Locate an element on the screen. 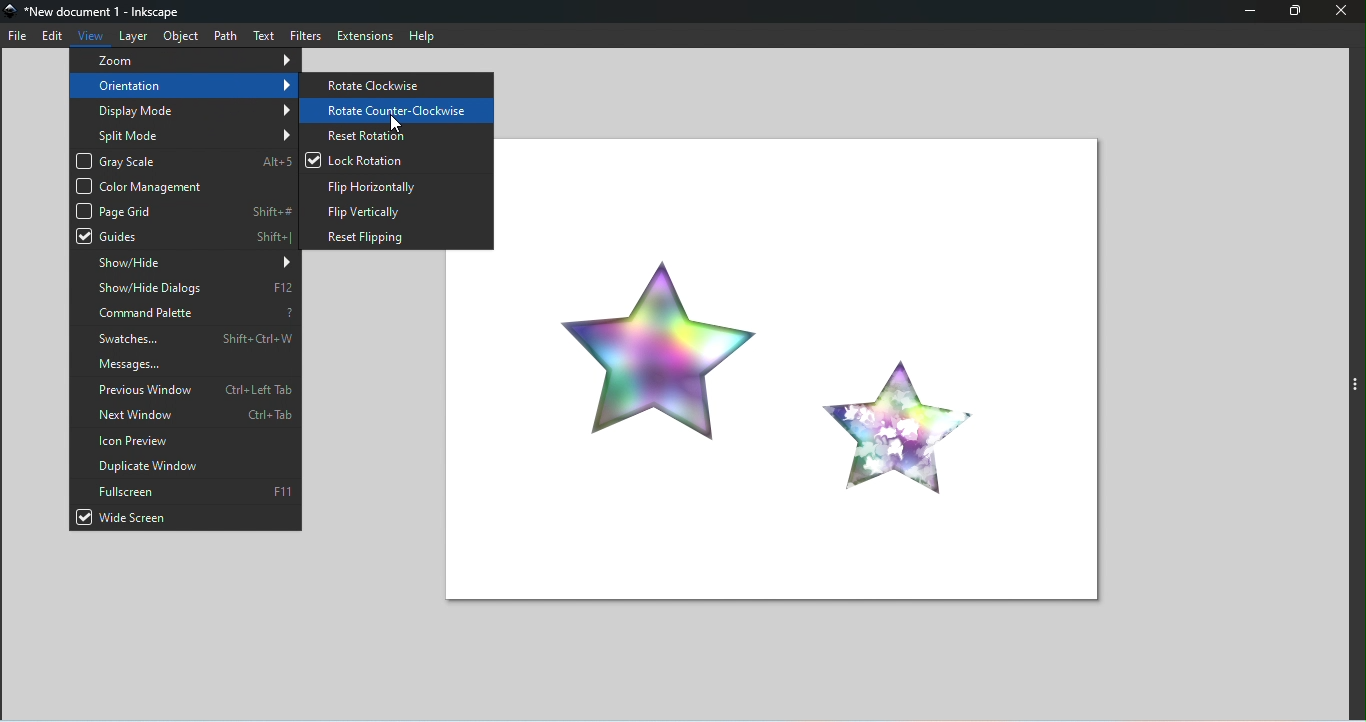  Filters is located at coordinates (301, 35).